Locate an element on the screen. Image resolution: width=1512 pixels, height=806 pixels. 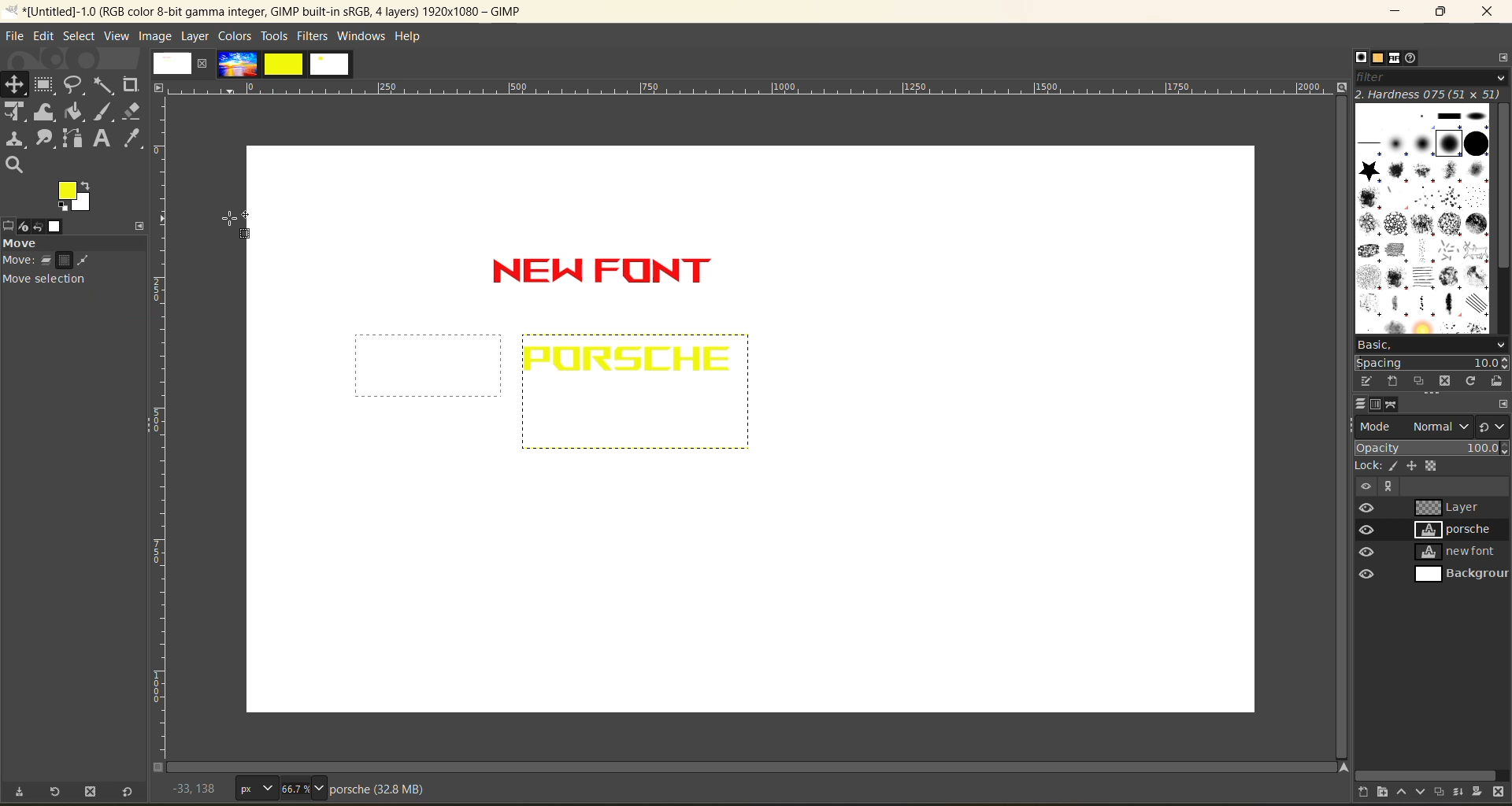
alpha is located at coordinates (1434, 467).